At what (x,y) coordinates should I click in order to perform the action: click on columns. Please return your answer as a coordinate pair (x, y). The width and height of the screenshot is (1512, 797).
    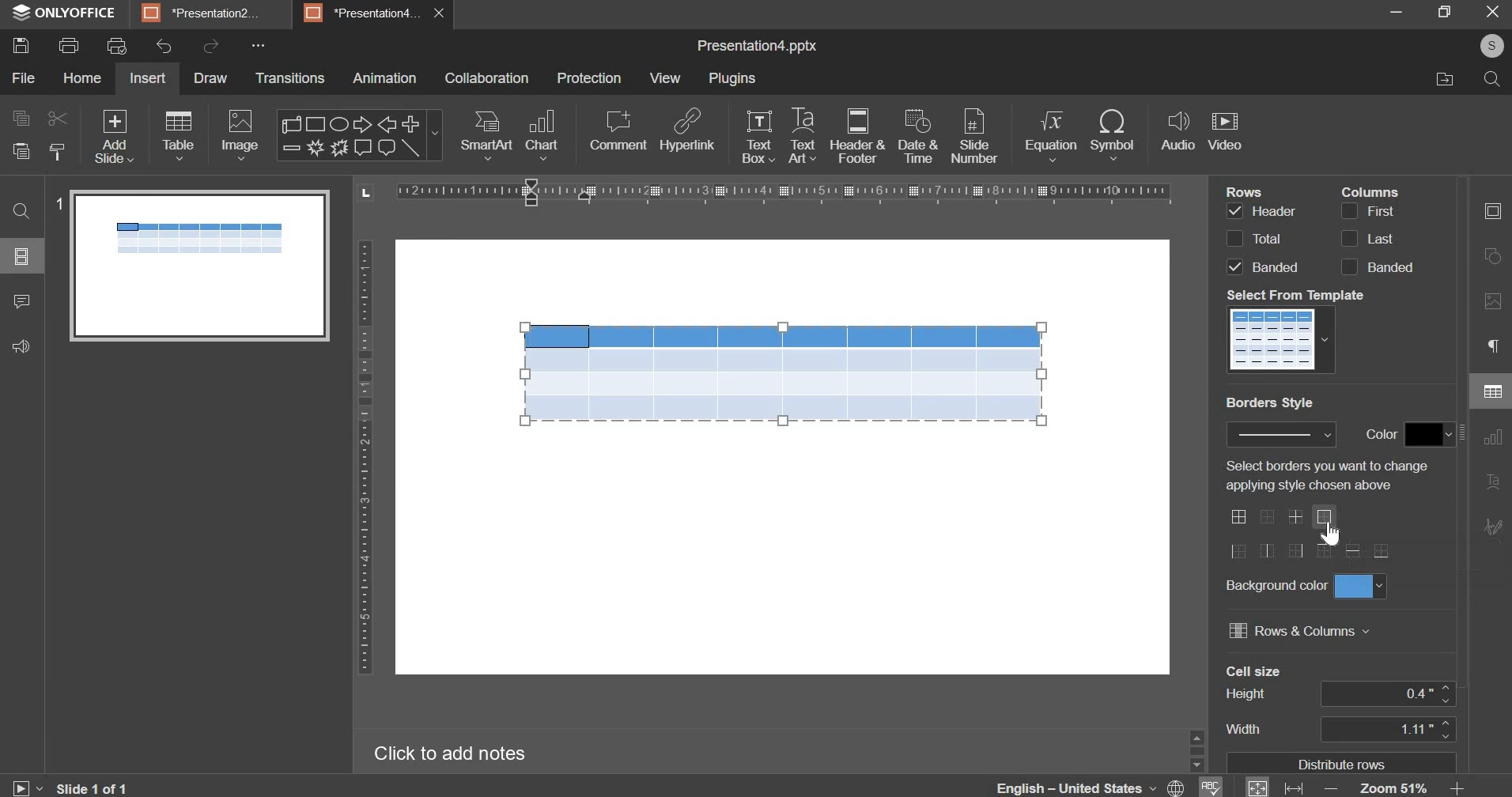
    Looking at the image, I should click on (1374, 191).